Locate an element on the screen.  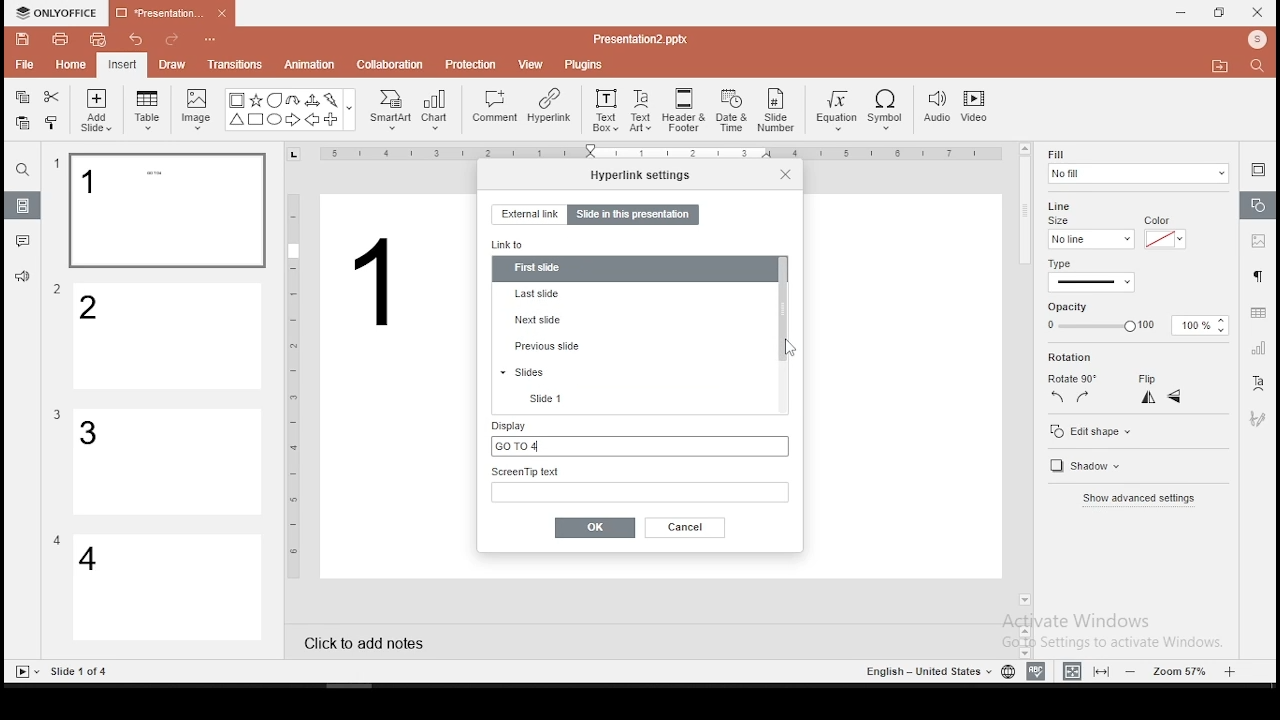
flip vertical is located at coordinates (1176, 399).